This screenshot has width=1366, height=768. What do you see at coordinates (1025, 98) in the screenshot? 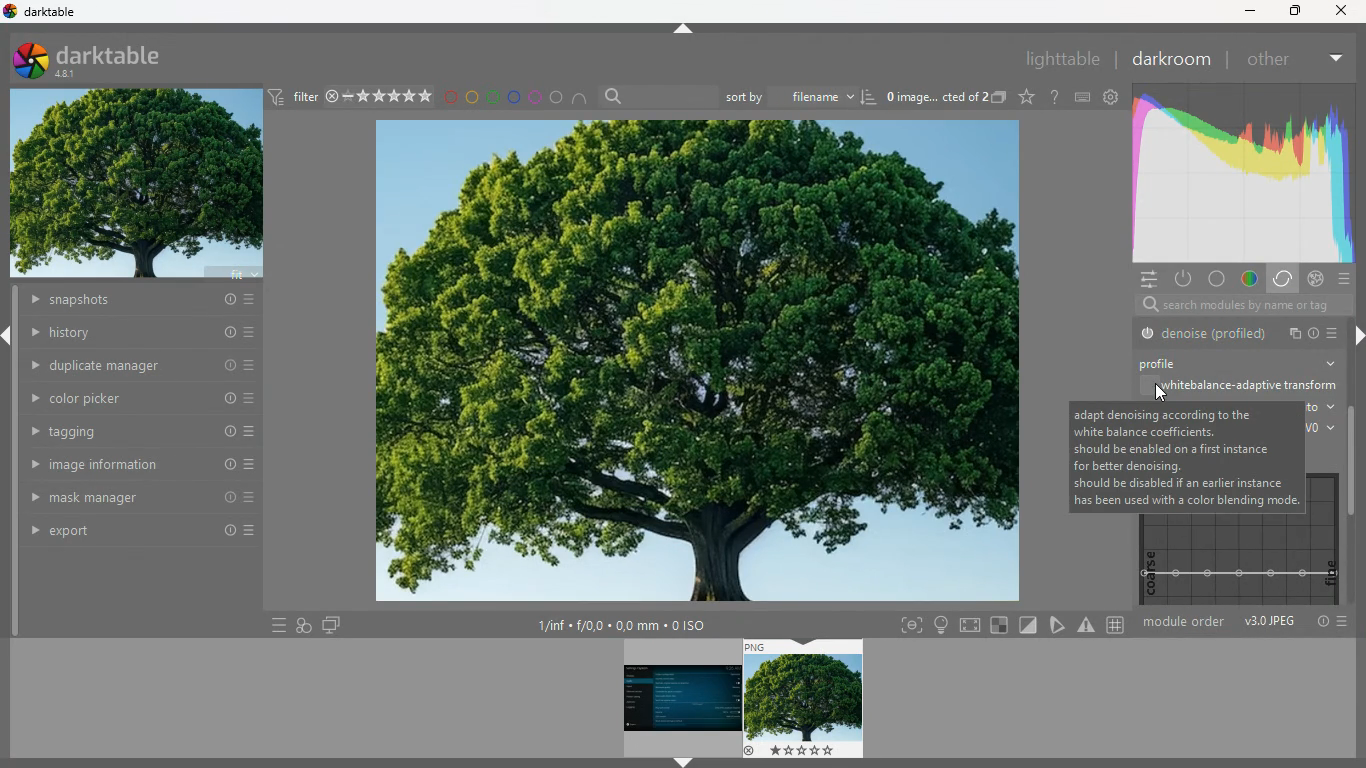
I see `favorite` at bounding box center [1025, 98].